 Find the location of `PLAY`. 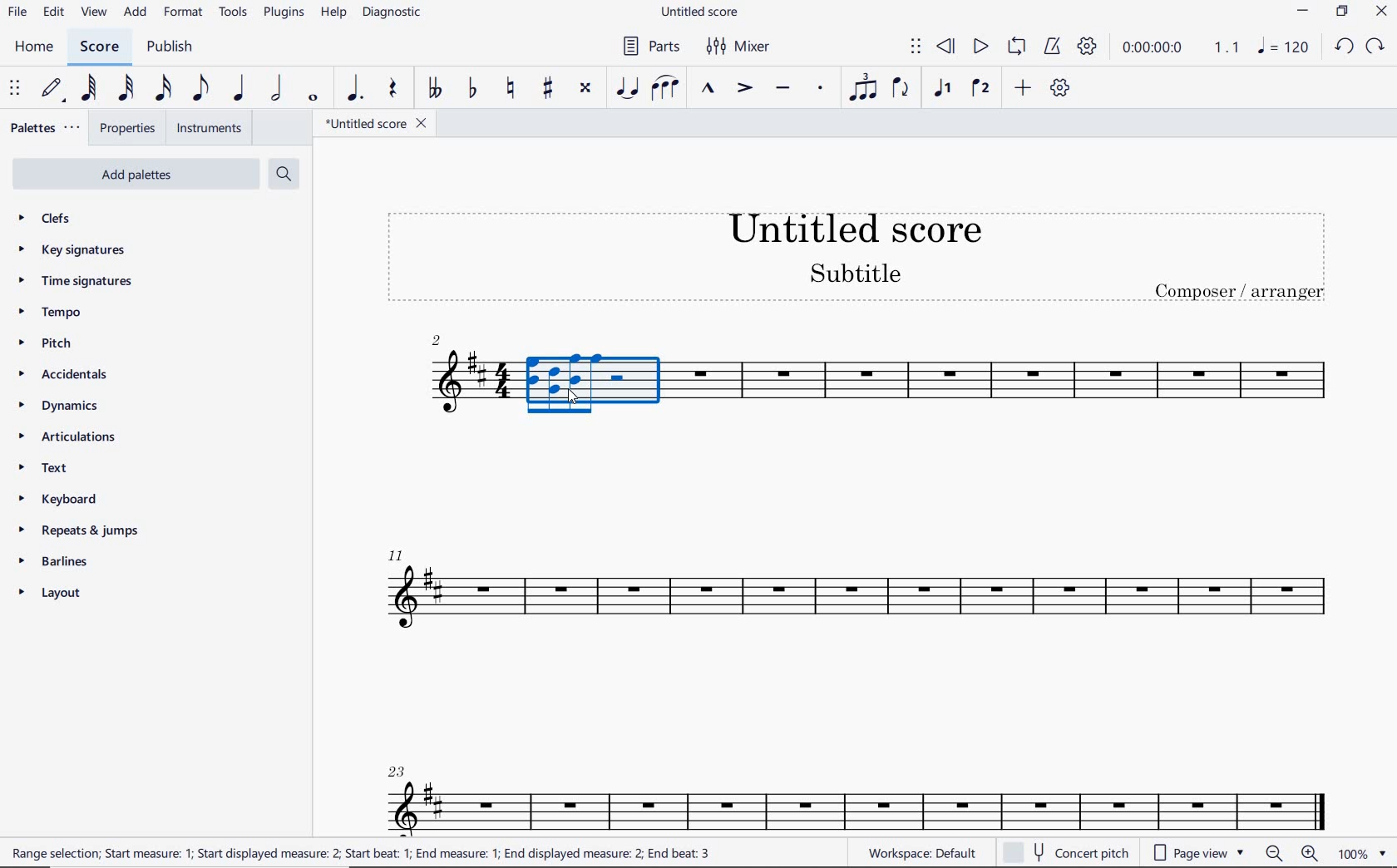

PLAY is located at coordinates (979, 47).